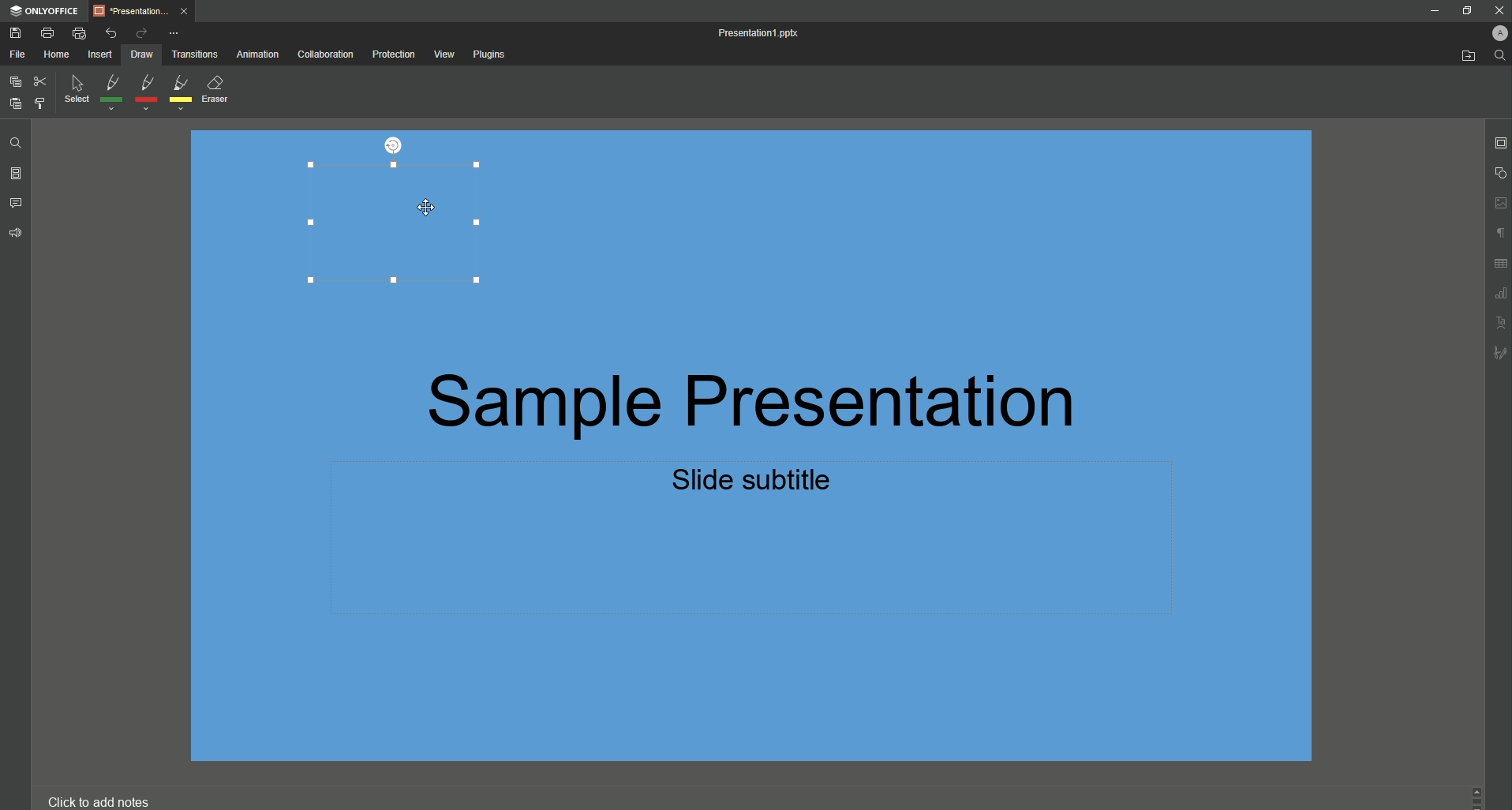 The width and height of the screenshot is (1512, 810). What do you see at coordinates (1465, 12) in the screenshot?
I see `Restore` at bounding box center [1465, 12].